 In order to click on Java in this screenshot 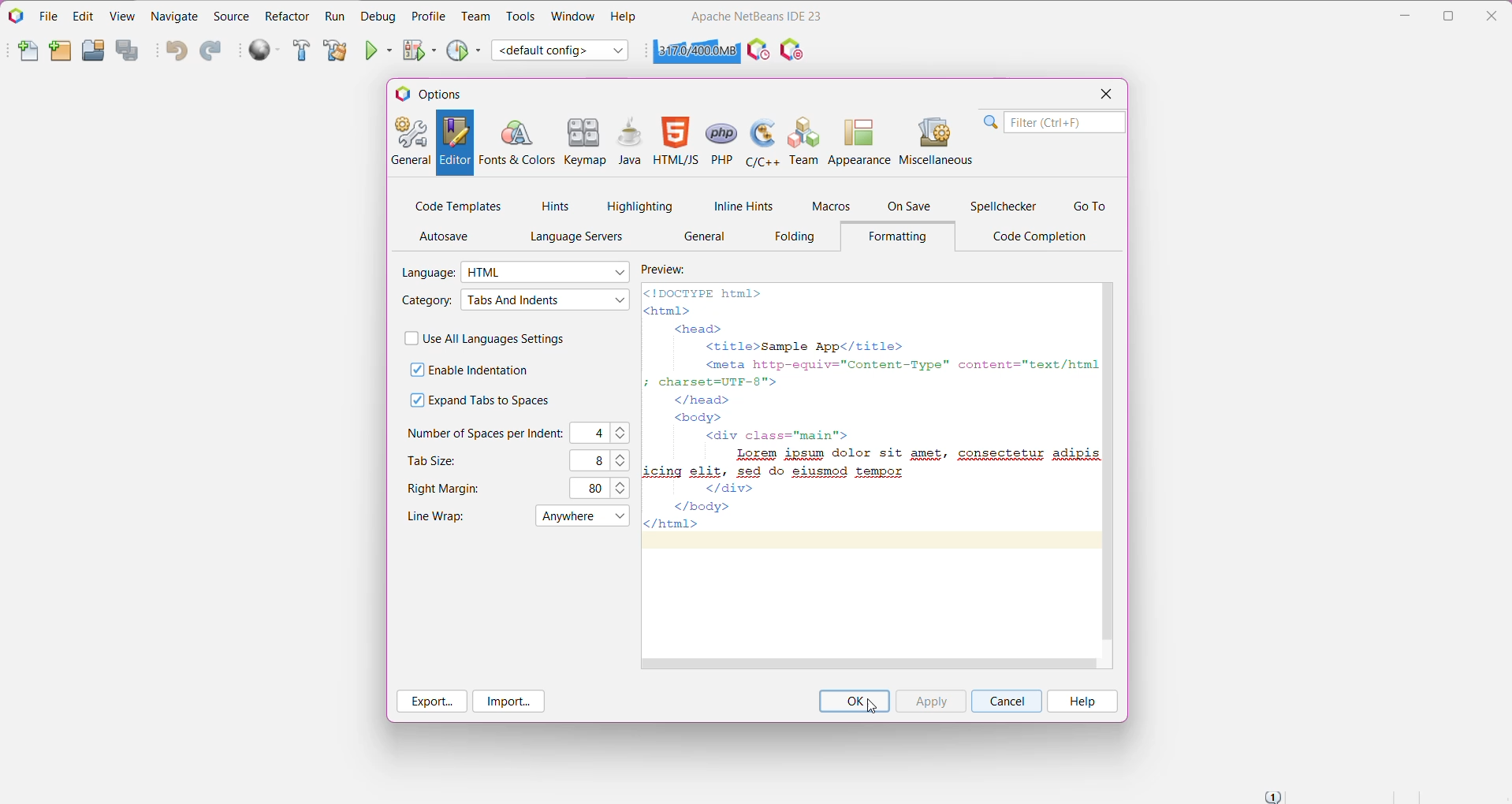, I will do `click(630, 143)`.